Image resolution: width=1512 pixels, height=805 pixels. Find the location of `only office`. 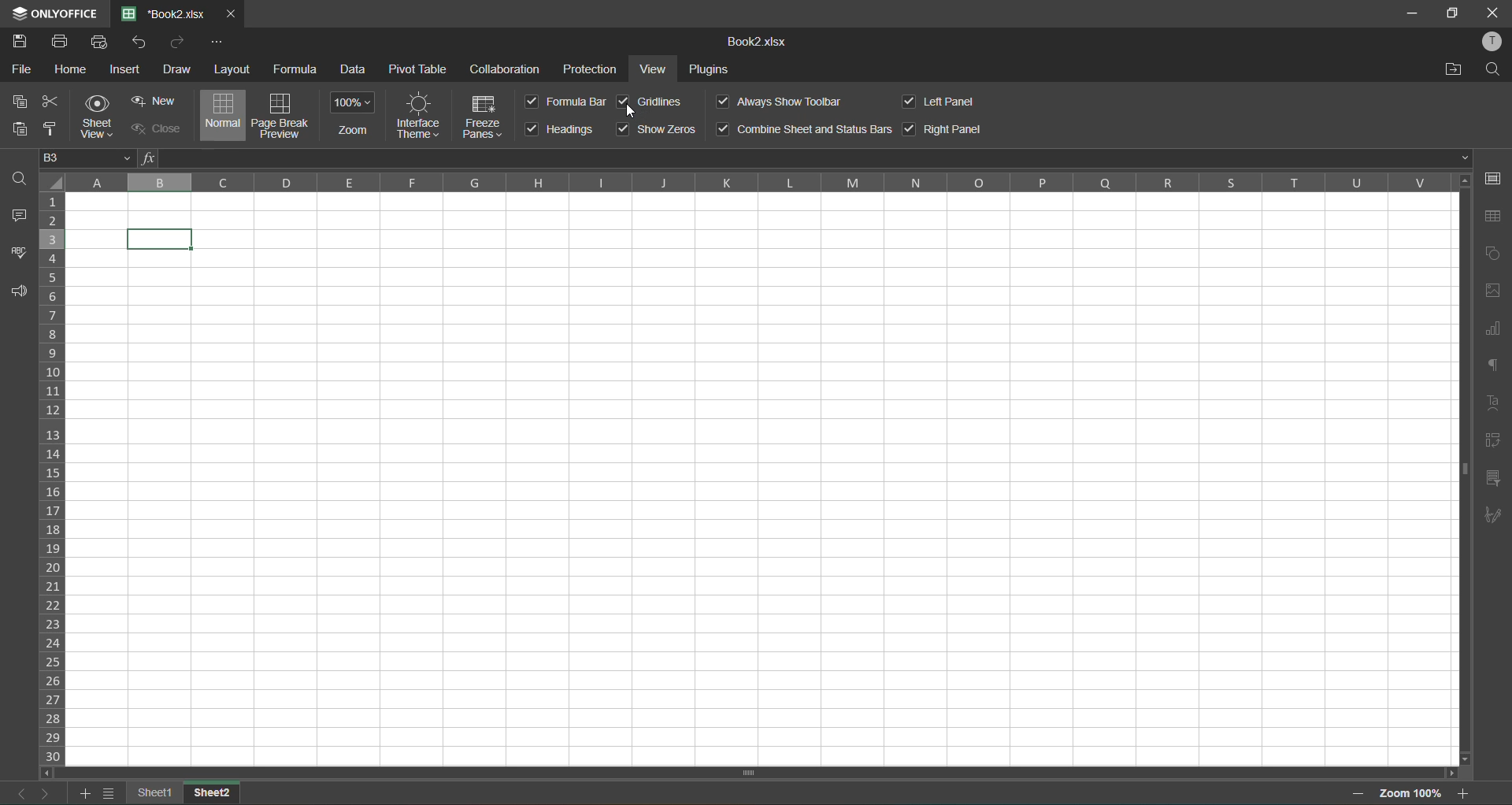

only office is located at coordinates (54, 12).